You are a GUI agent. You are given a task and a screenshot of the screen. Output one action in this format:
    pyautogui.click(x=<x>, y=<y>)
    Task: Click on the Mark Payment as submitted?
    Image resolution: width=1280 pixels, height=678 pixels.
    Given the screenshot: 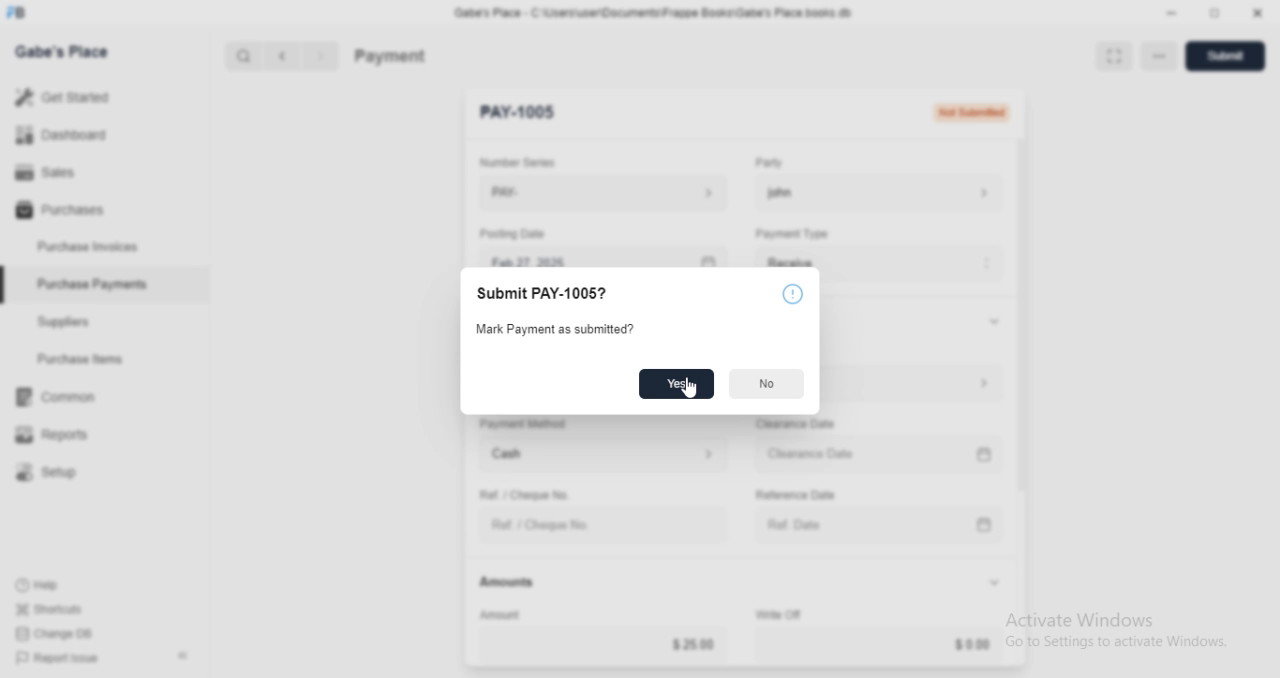 What is the action you would take?
    pyautogui.click(x=556, y=330)
    